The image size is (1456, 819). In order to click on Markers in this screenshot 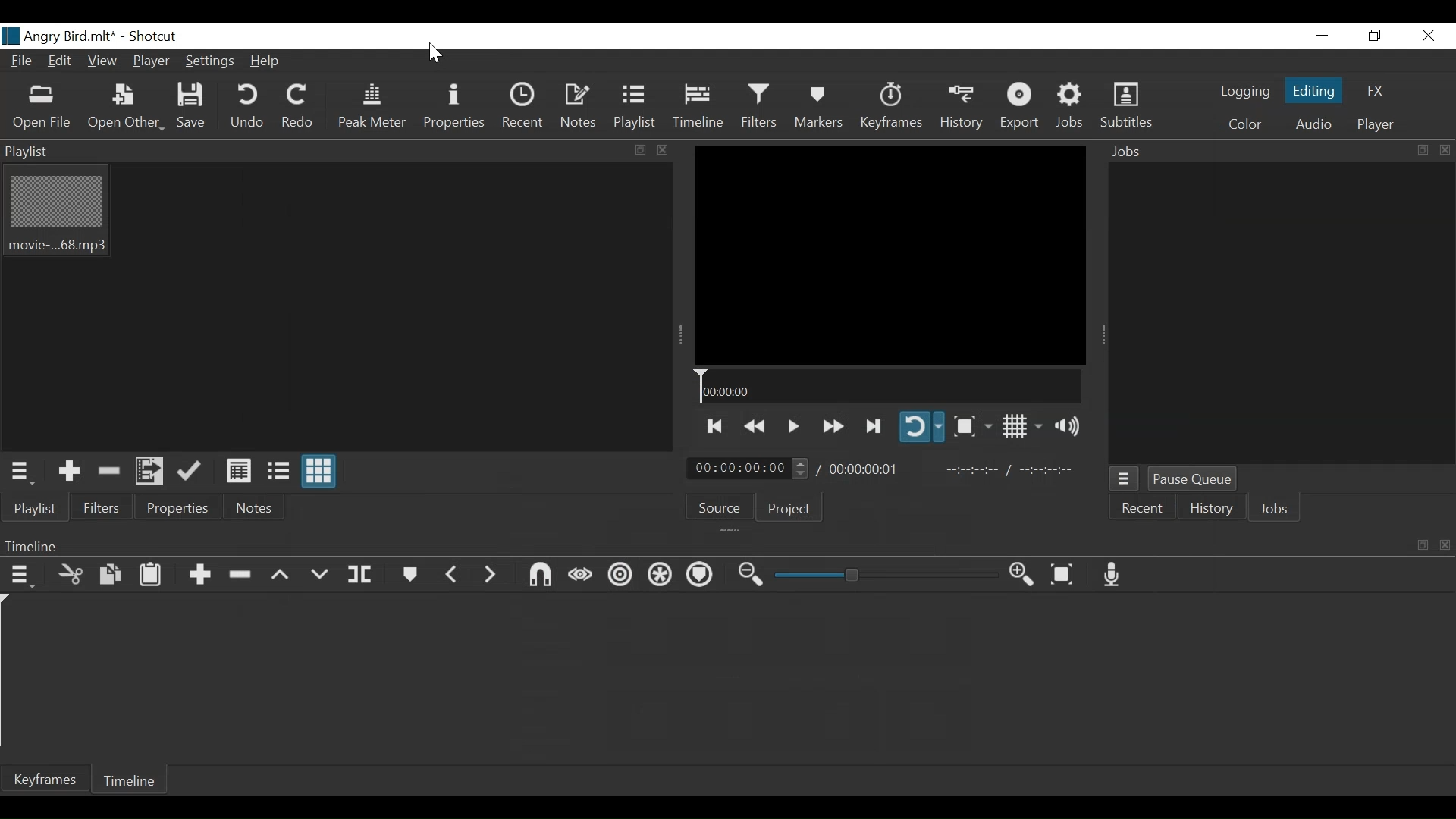, I will do `click(409, 573)`.